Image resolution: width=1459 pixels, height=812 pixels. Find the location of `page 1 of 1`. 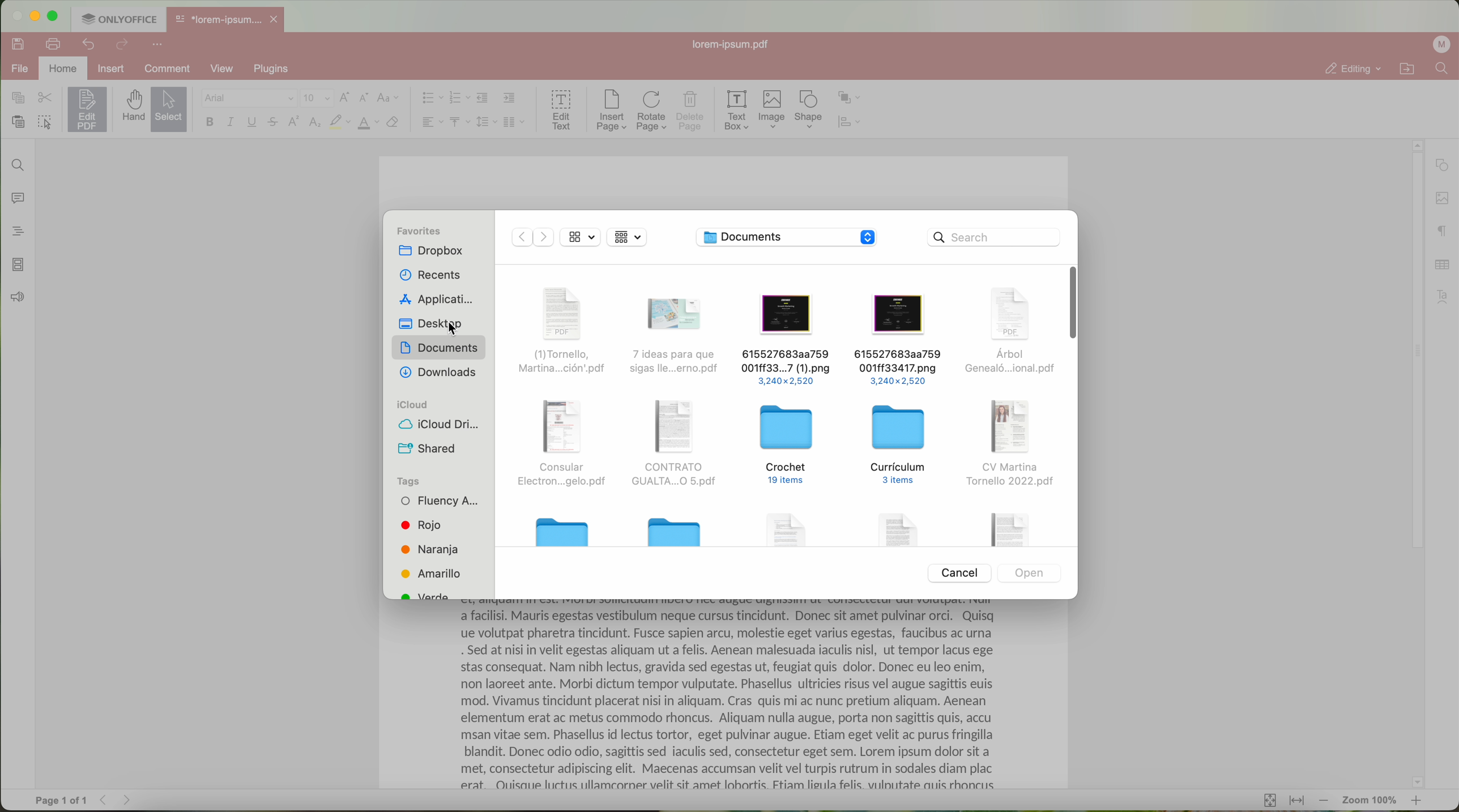

page 1 of 1 is located at coordinates (61, 801).